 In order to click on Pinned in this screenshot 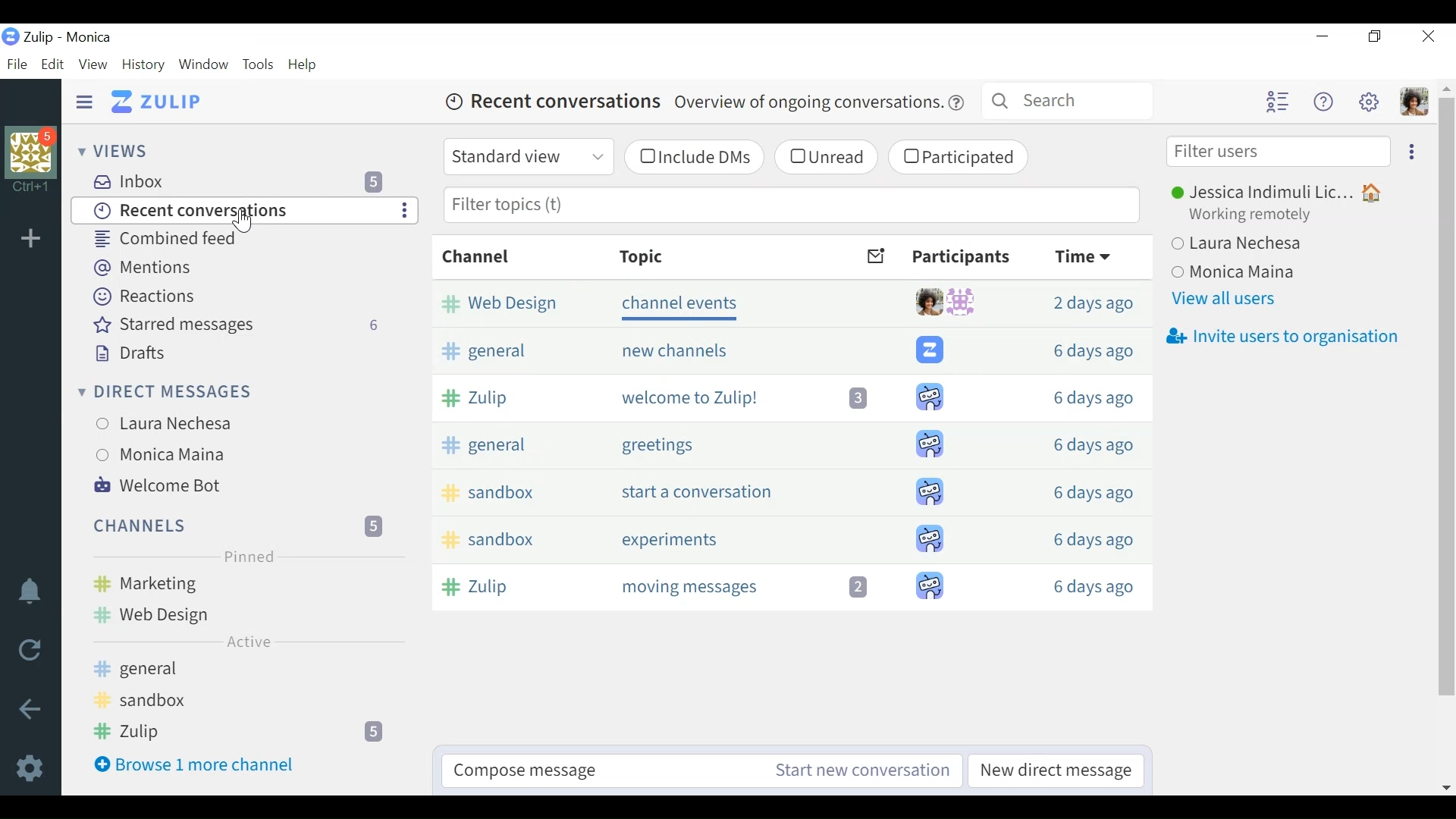, I will do `click(249, 556)`.